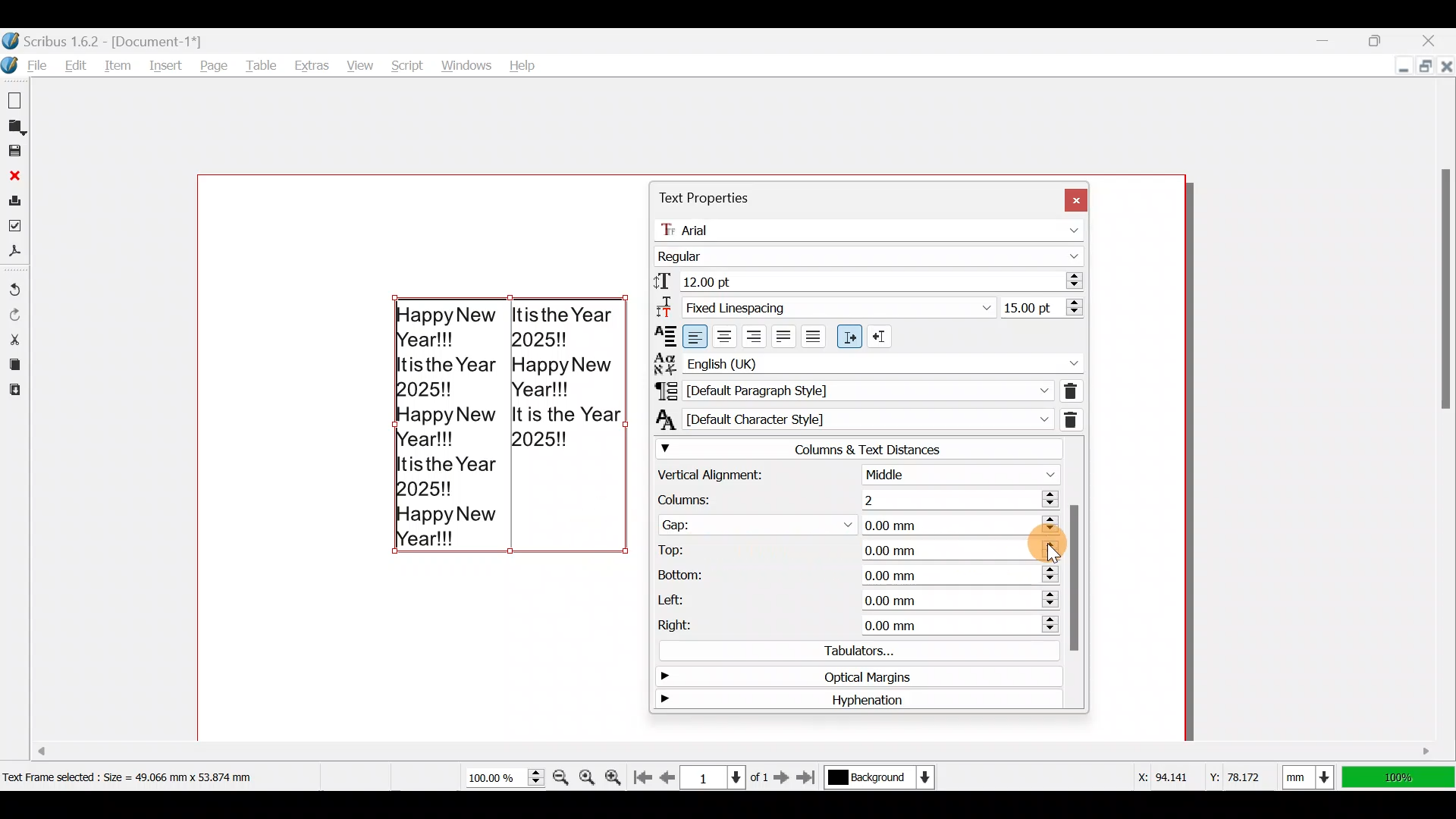 The width and height of the screenshot is (1456, 819). I want to click on Align text right, so click(756, 334).